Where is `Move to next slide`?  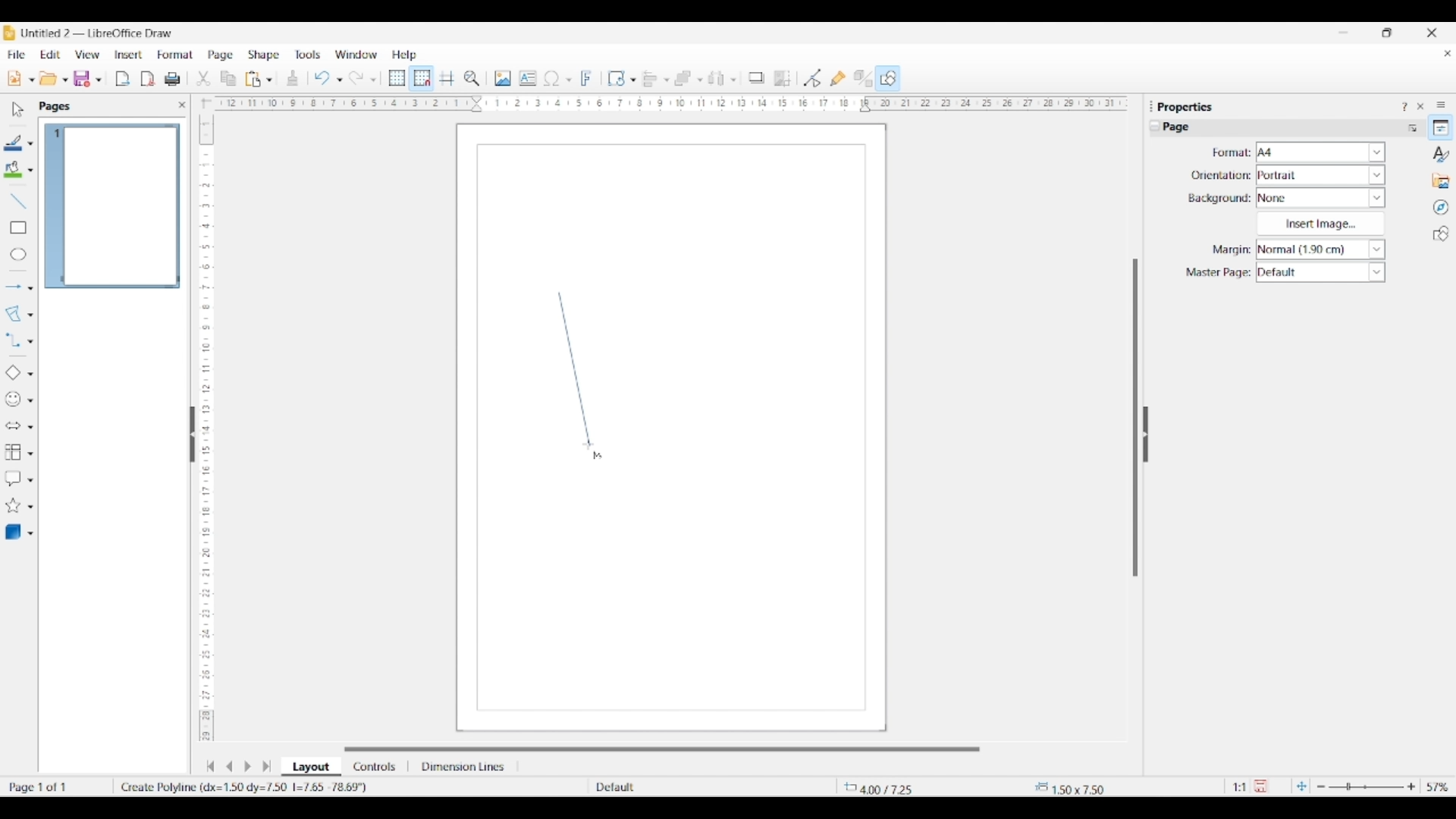 Move to next slide is located at coordinates (247, 767).